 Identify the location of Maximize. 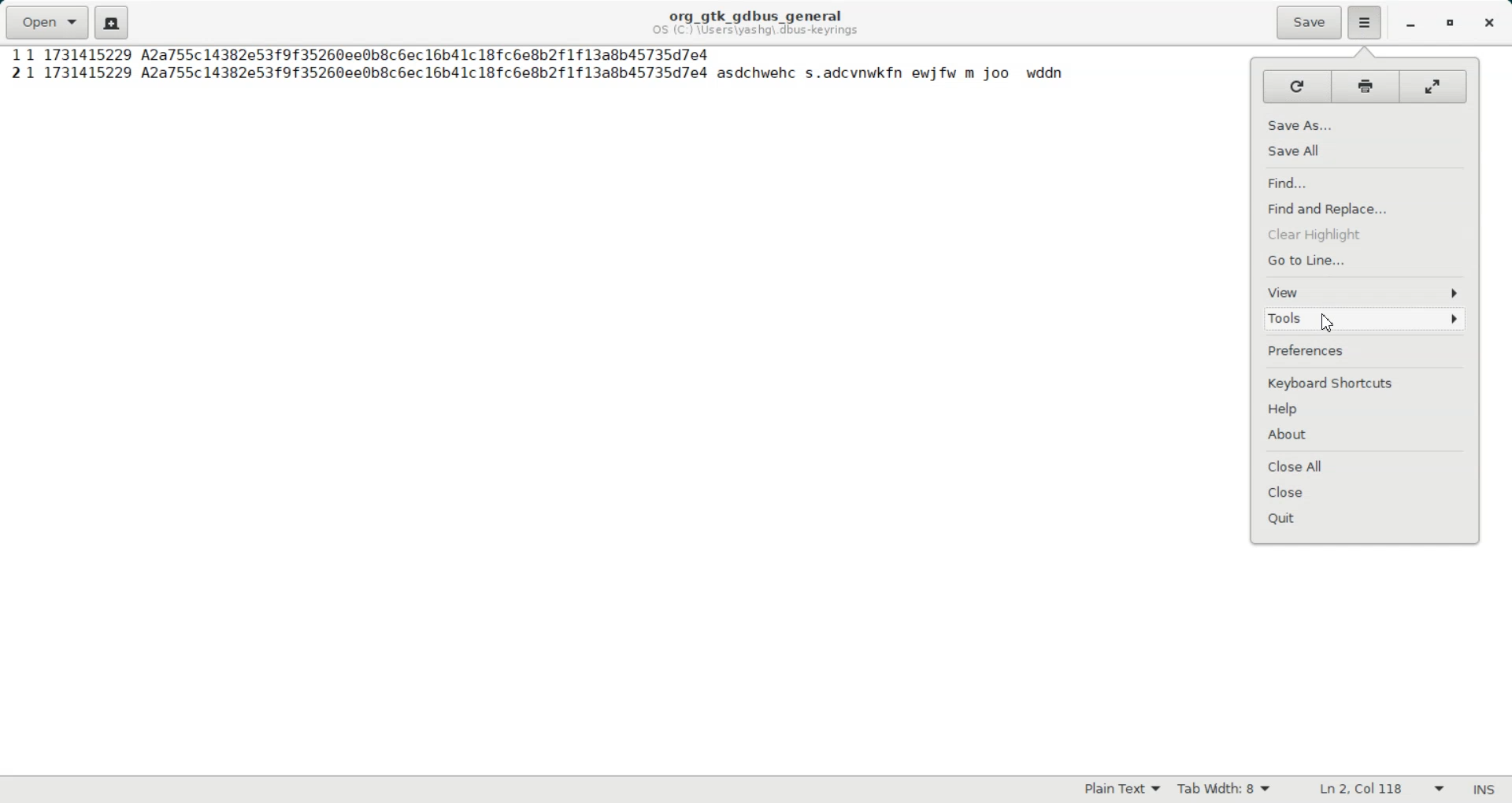
(1451, 24).